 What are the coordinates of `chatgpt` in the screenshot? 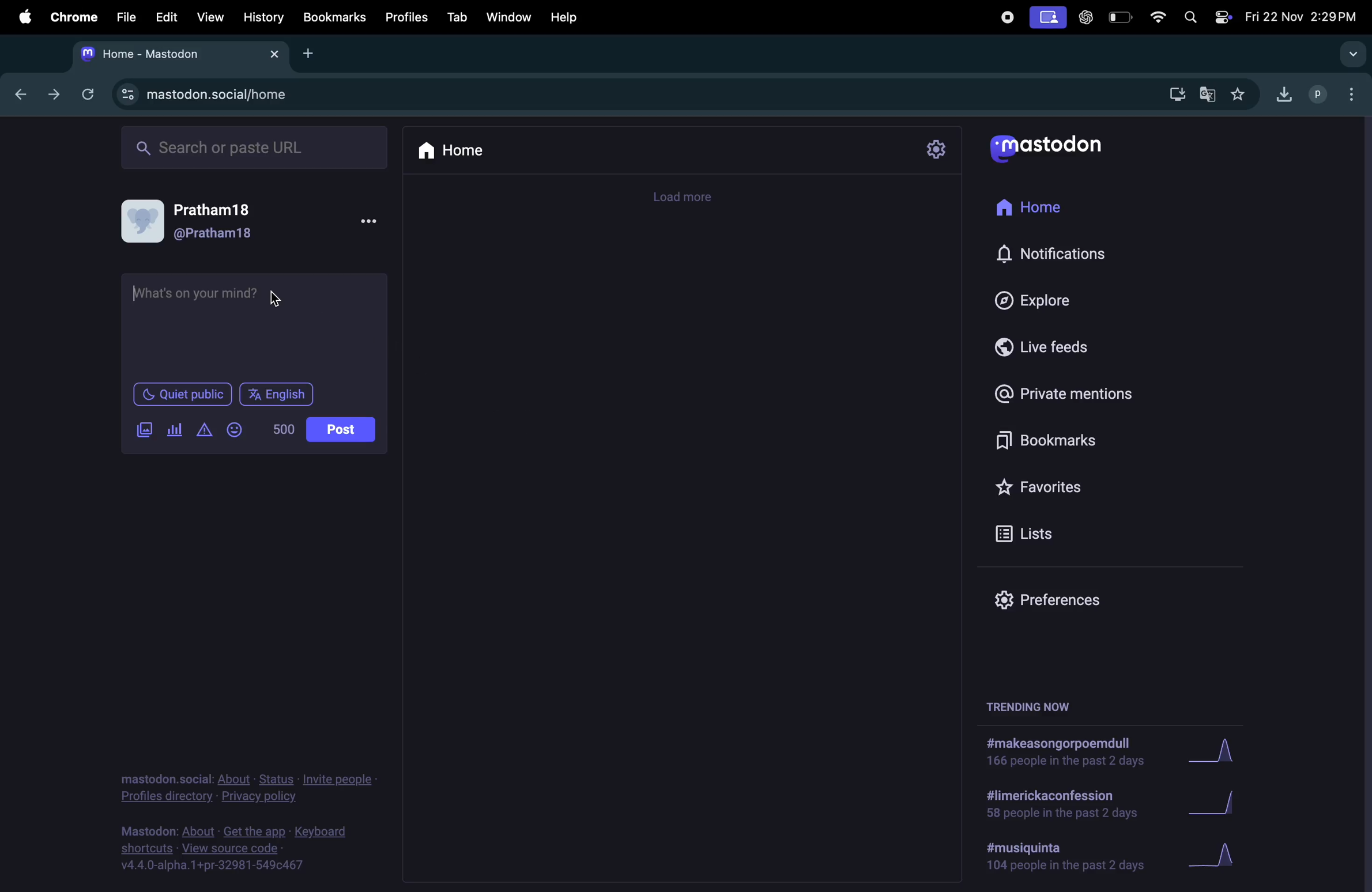 It's located at (1087, 18).